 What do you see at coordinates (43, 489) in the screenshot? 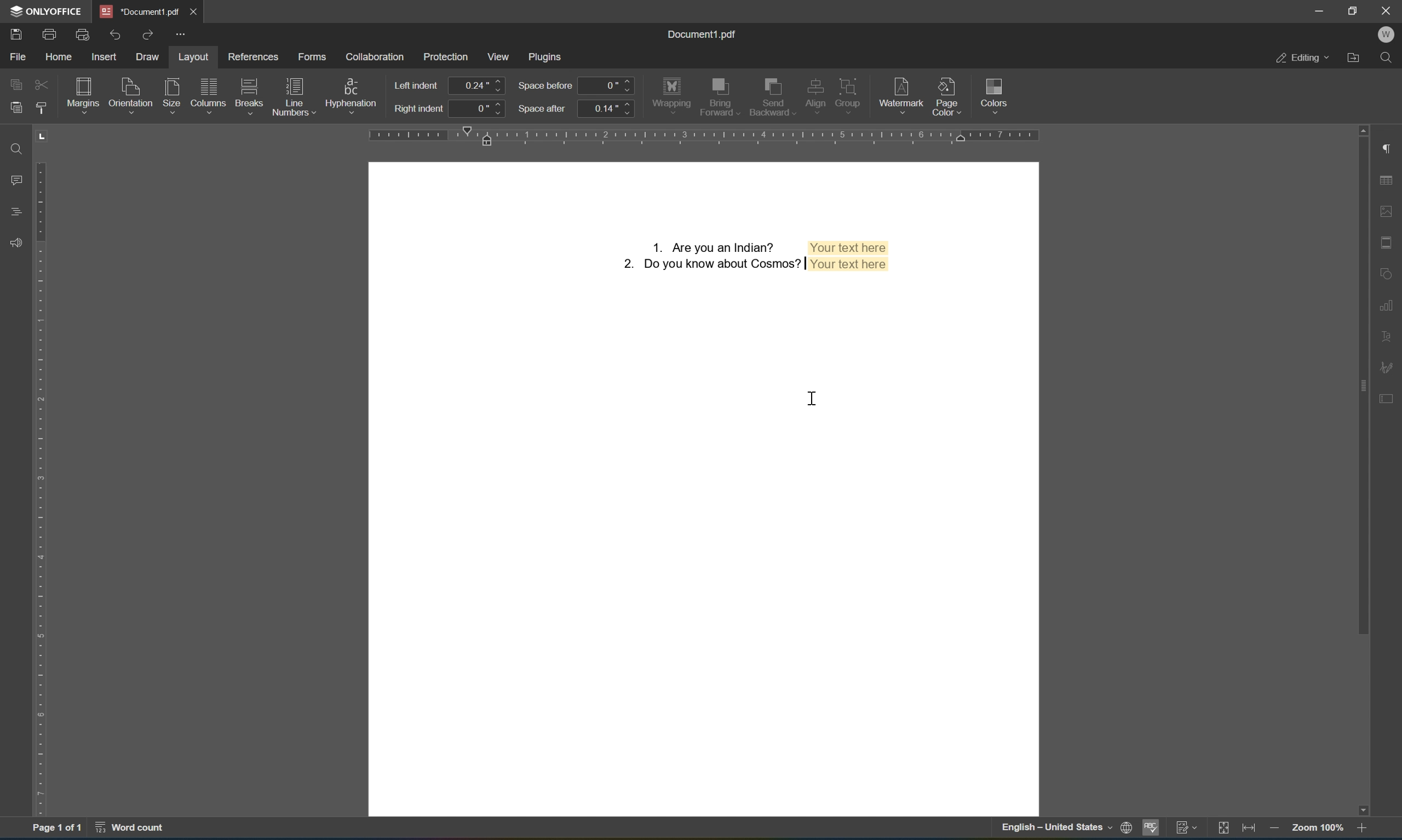
I see `ruler` at bounding box center [43, 489].